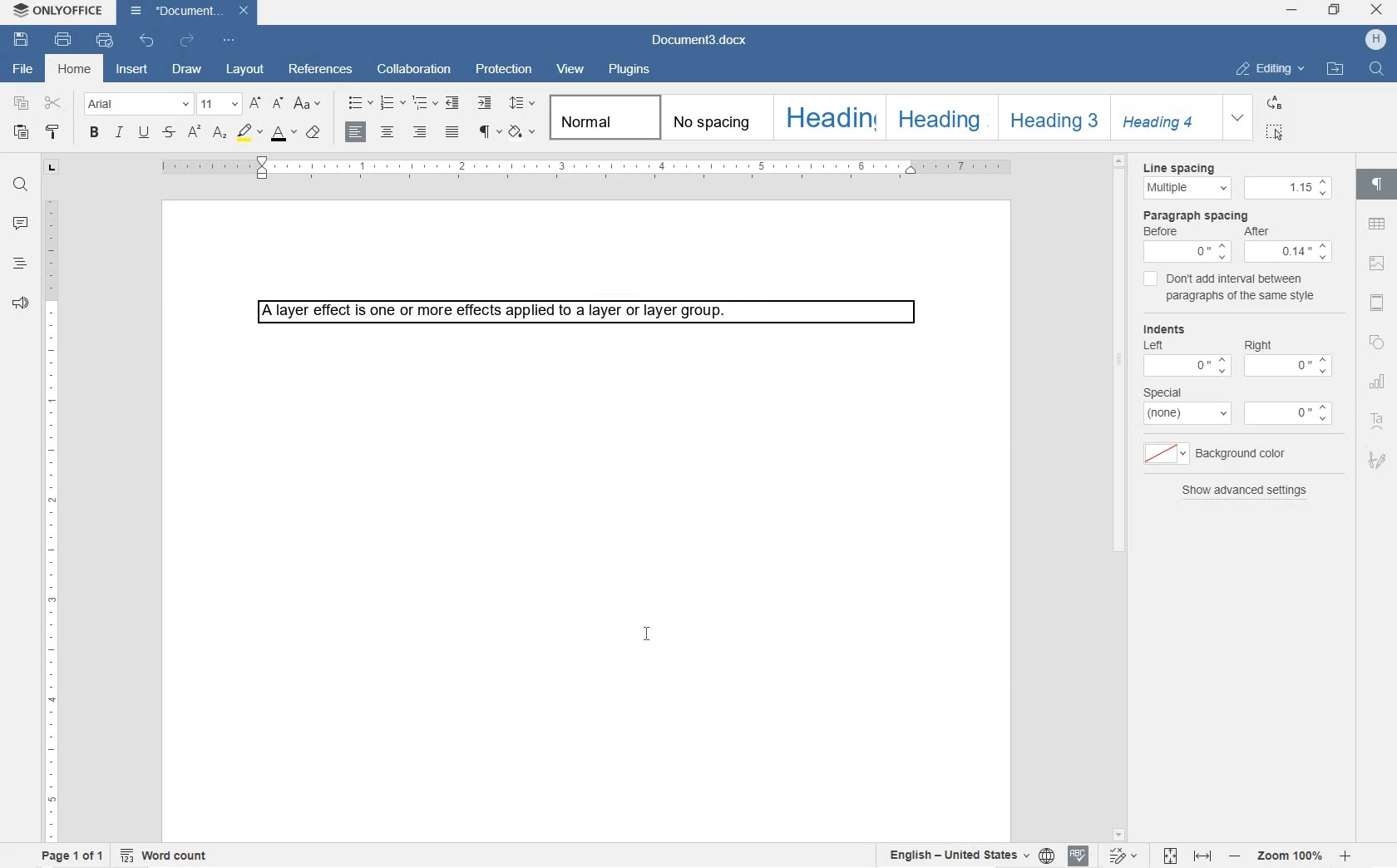 The width and height of the screenshot is (1397, 868). I want to click on SYSTEM NAME, so click(58, 12).